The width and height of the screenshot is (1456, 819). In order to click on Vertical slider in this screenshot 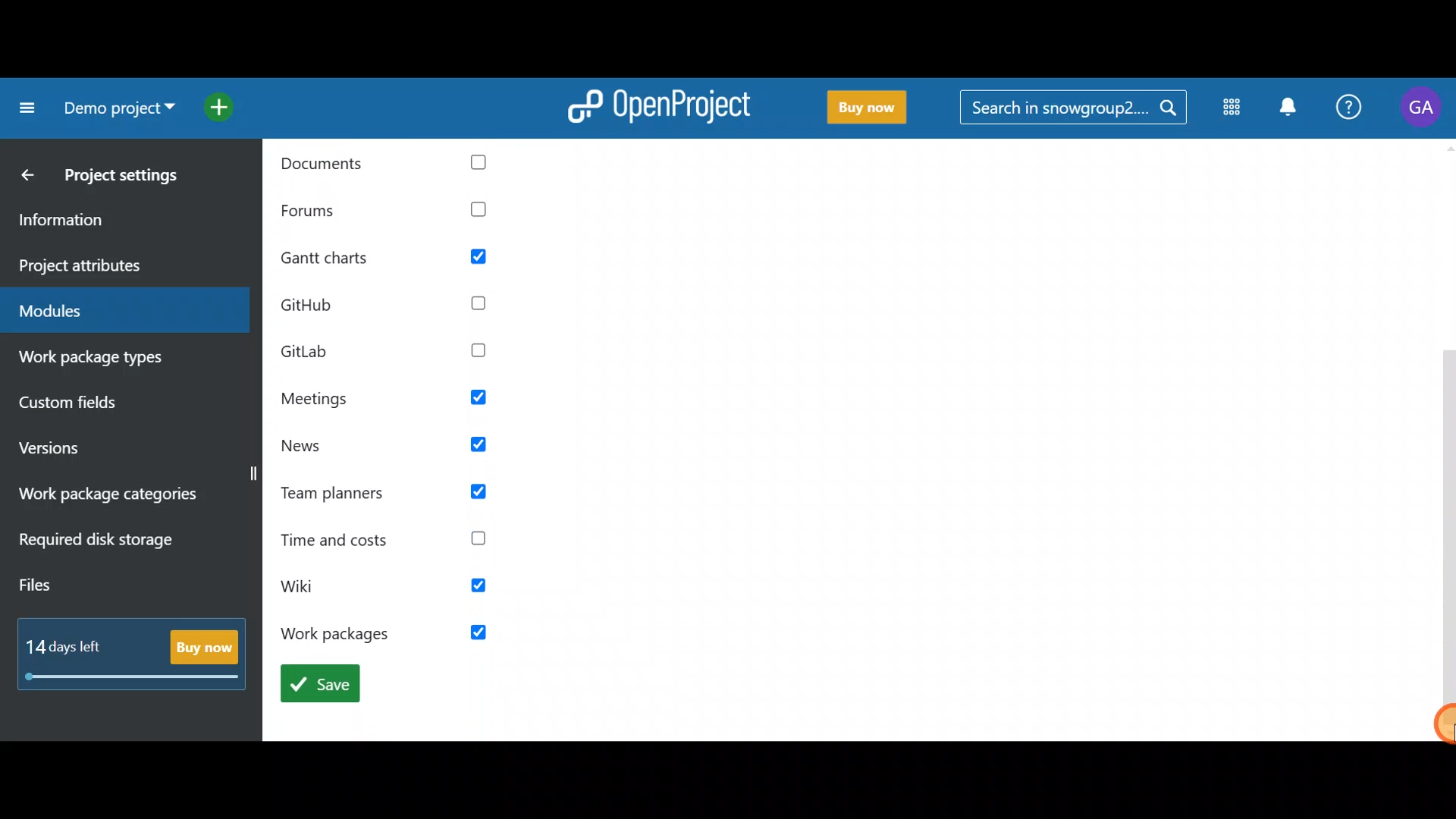, I will do `click(1447, 439)`.